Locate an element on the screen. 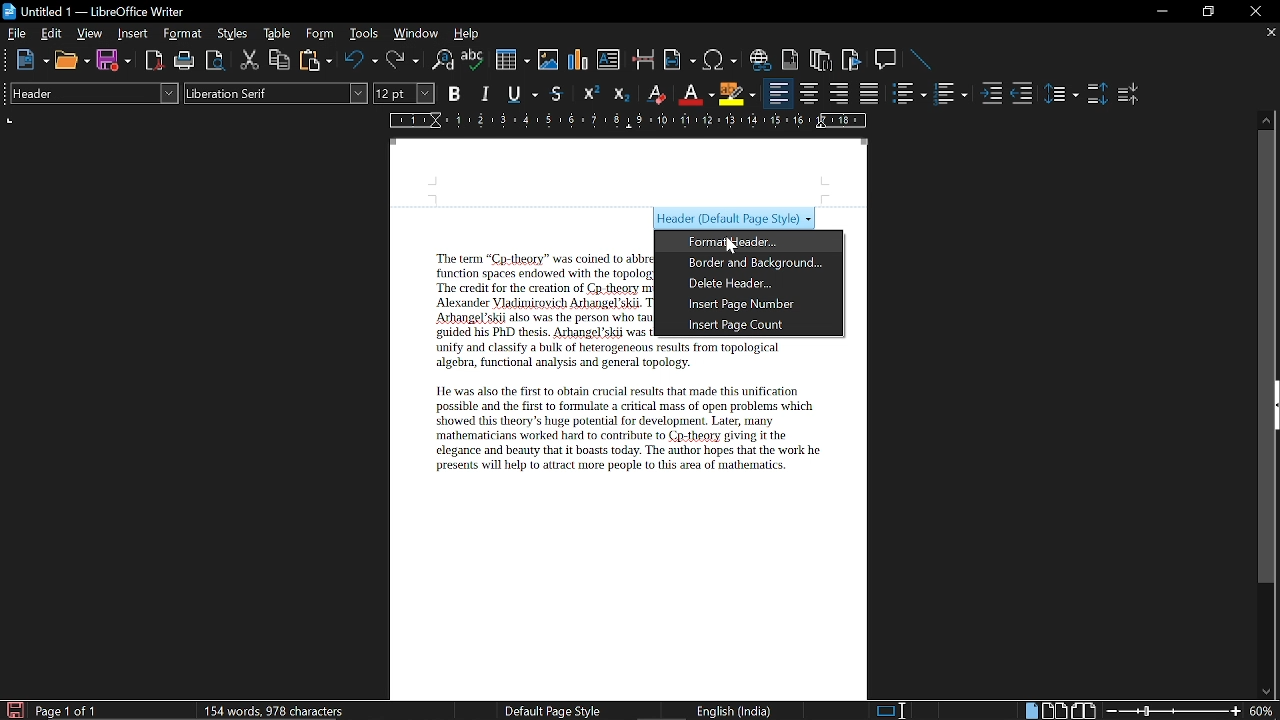  Single page view is located at coordinates (1031, 710).